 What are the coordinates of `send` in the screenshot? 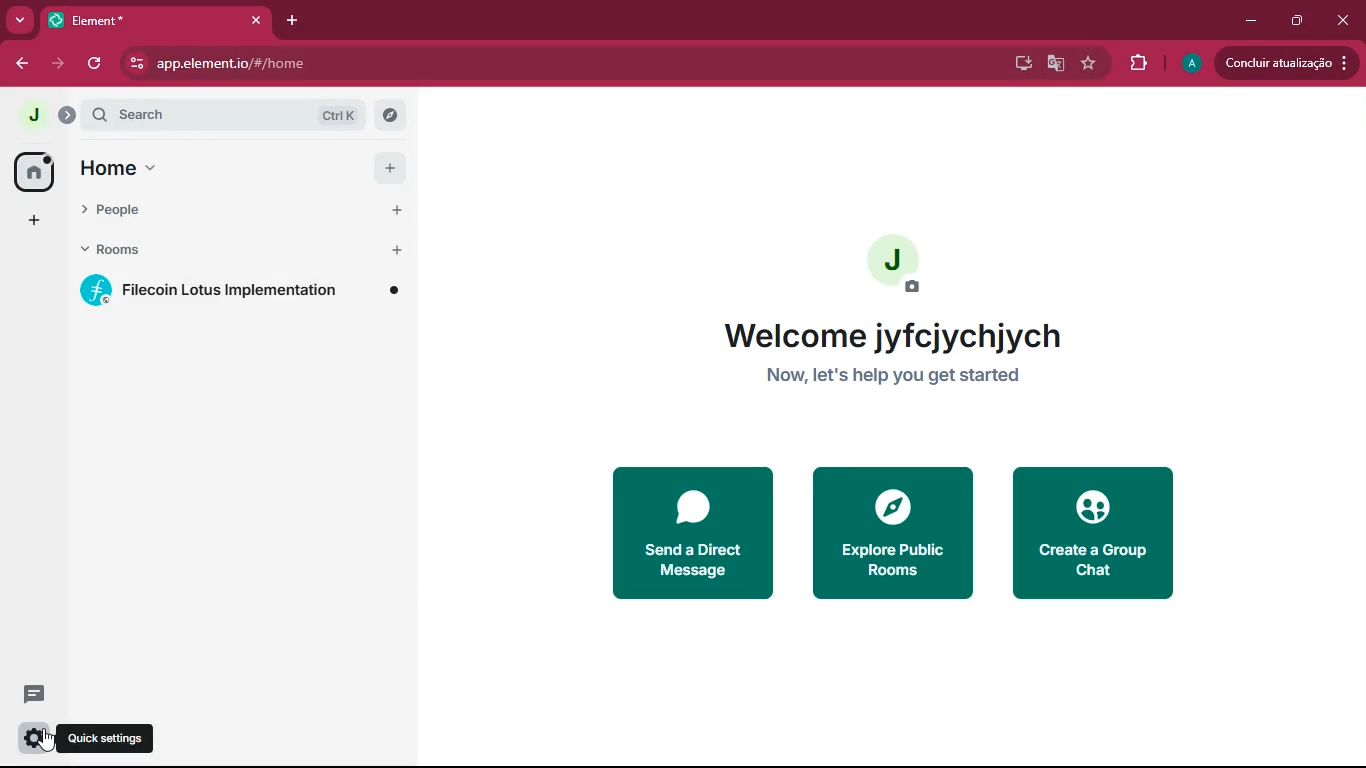 It's located at (691, 532).